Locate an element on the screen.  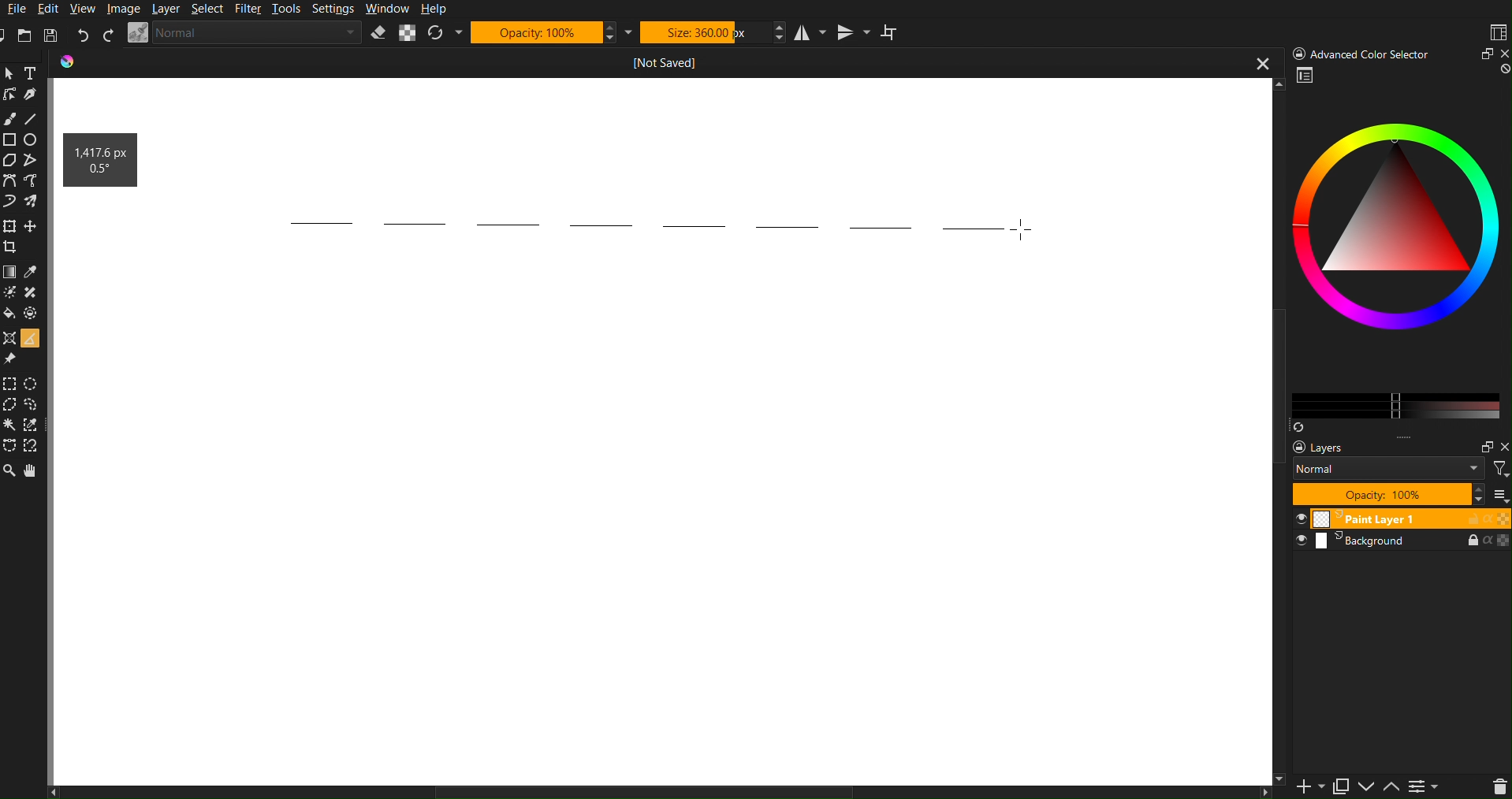
Text is located at coordinates (32, 72).